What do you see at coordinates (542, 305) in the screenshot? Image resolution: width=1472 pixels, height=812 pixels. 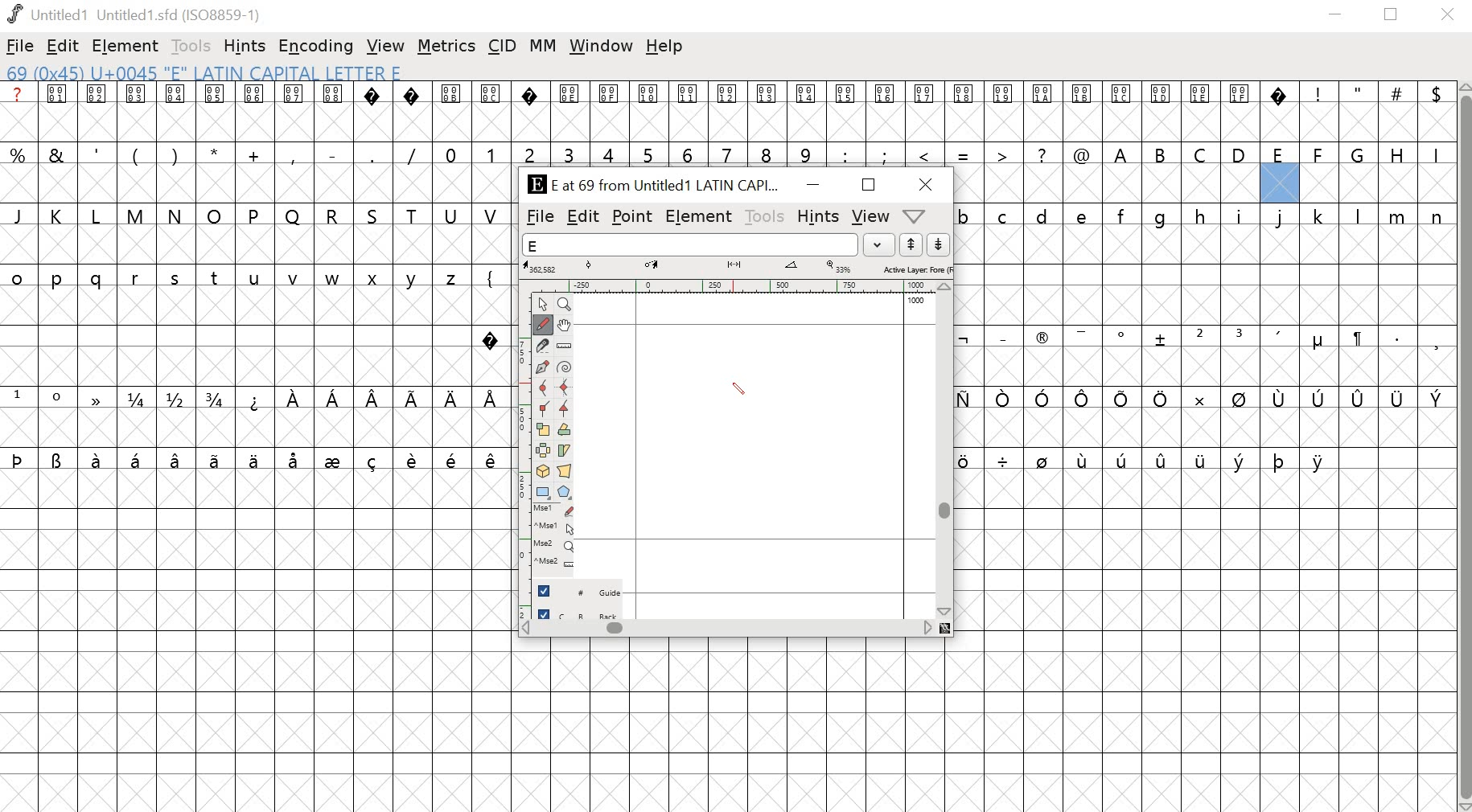 I see `Point` at bounding box center [542, 305].